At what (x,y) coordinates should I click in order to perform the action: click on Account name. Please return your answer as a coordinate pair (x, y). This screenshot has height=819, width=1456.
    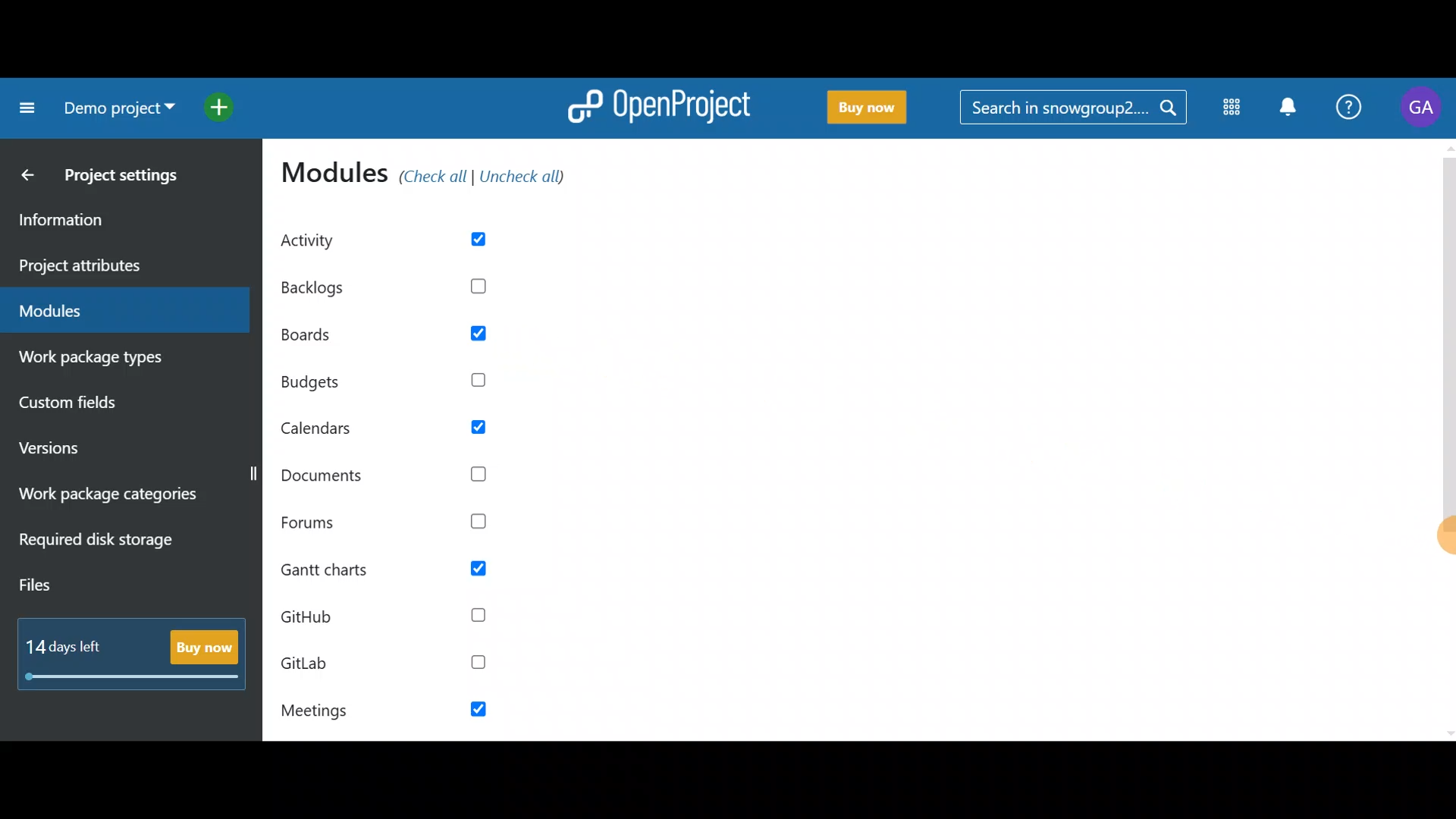
    Looking at the image, I should click on (1419, 111).